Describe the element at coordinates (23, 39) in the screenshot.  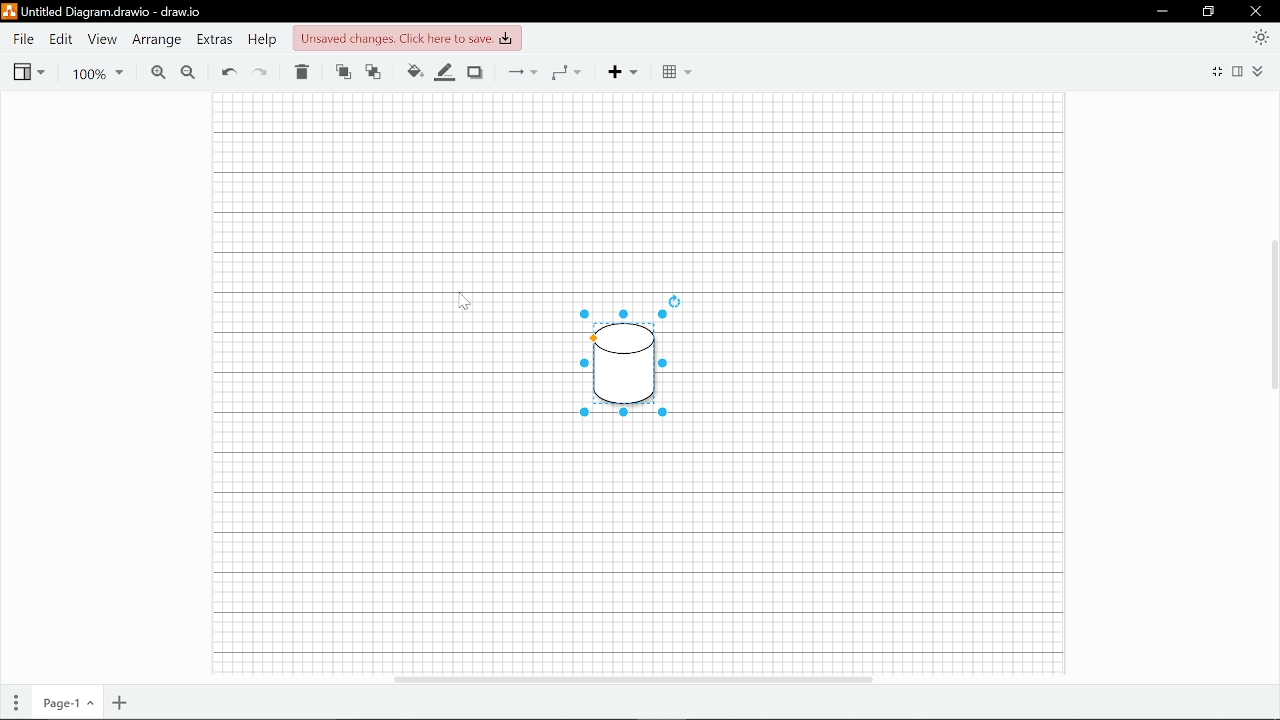
I see `File` at that location.